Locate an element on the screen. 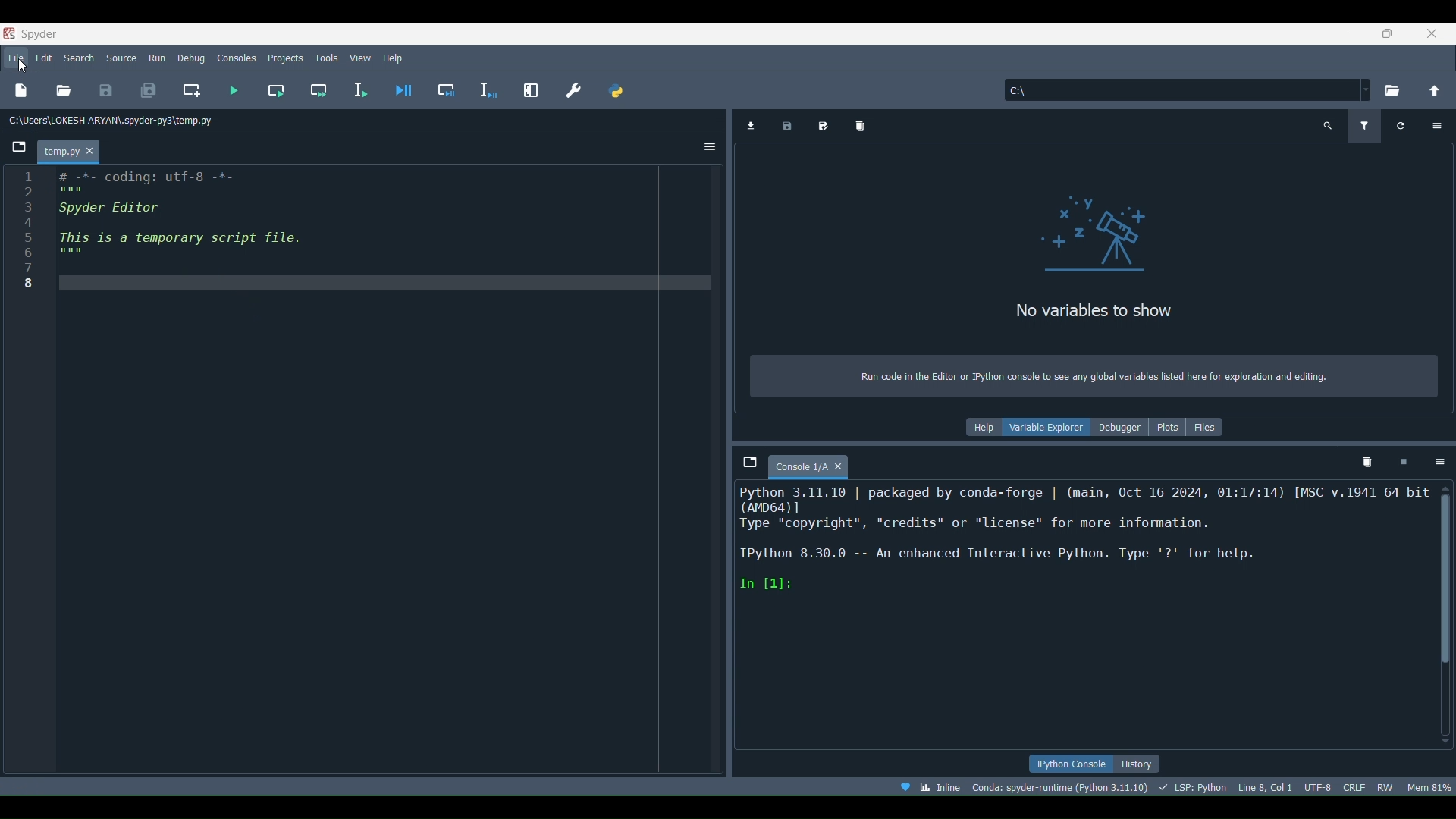  Console is located at coordinates (822, 467).